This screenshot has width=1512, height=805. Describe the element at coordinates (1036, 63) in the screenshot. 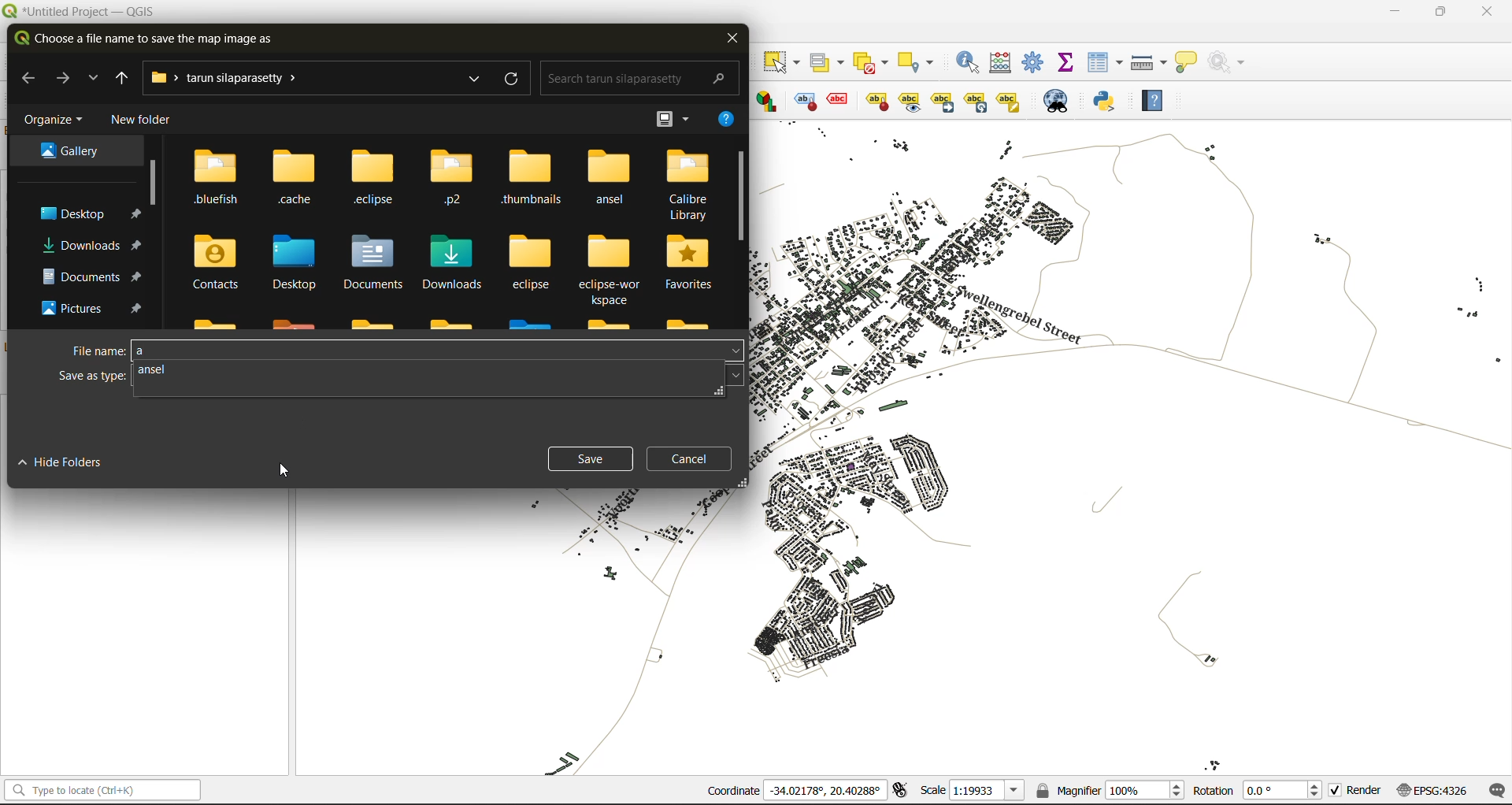

I see `toolbox` at that location.